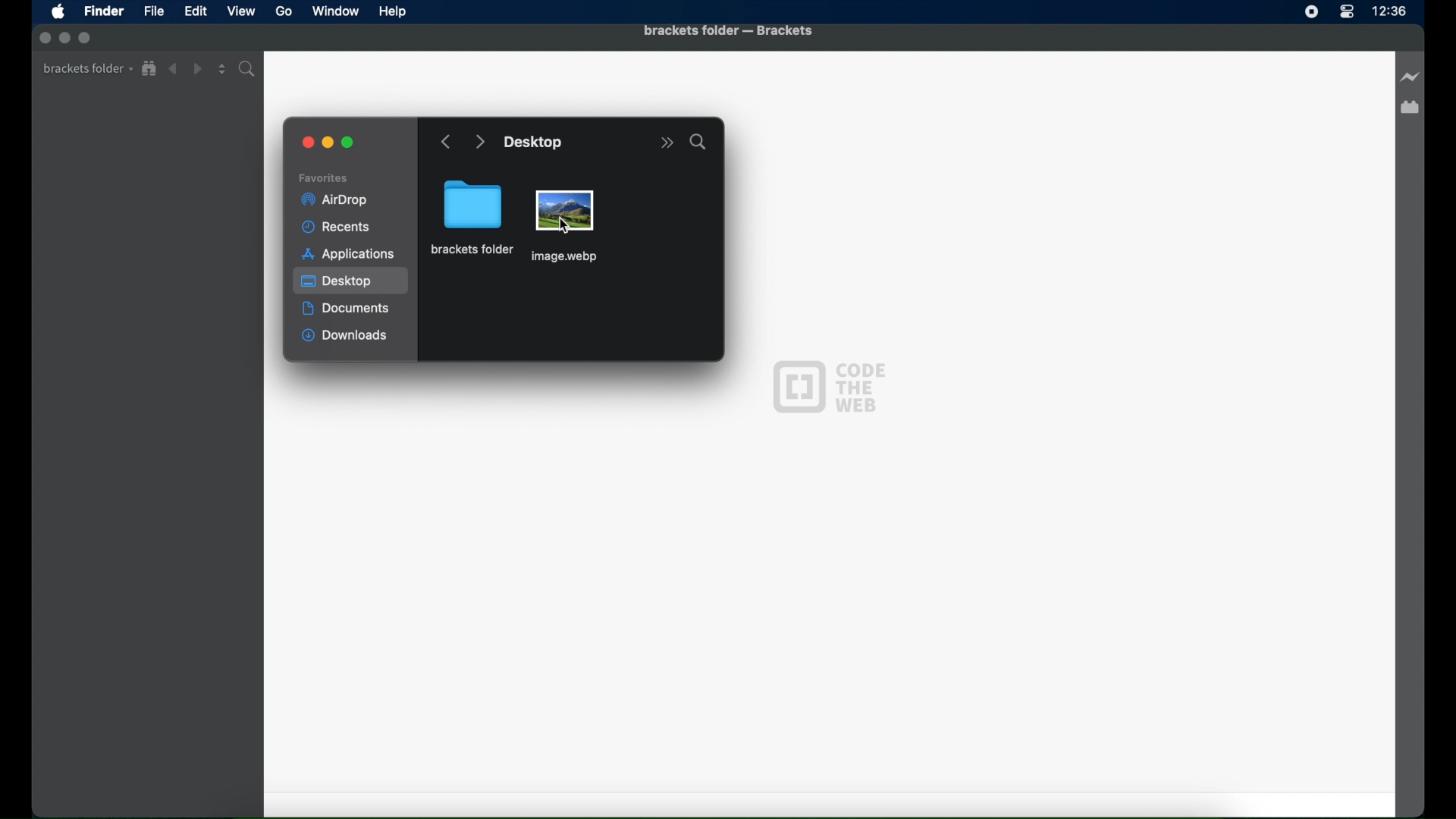  I want to click on show in file tree, so click(149, 69).